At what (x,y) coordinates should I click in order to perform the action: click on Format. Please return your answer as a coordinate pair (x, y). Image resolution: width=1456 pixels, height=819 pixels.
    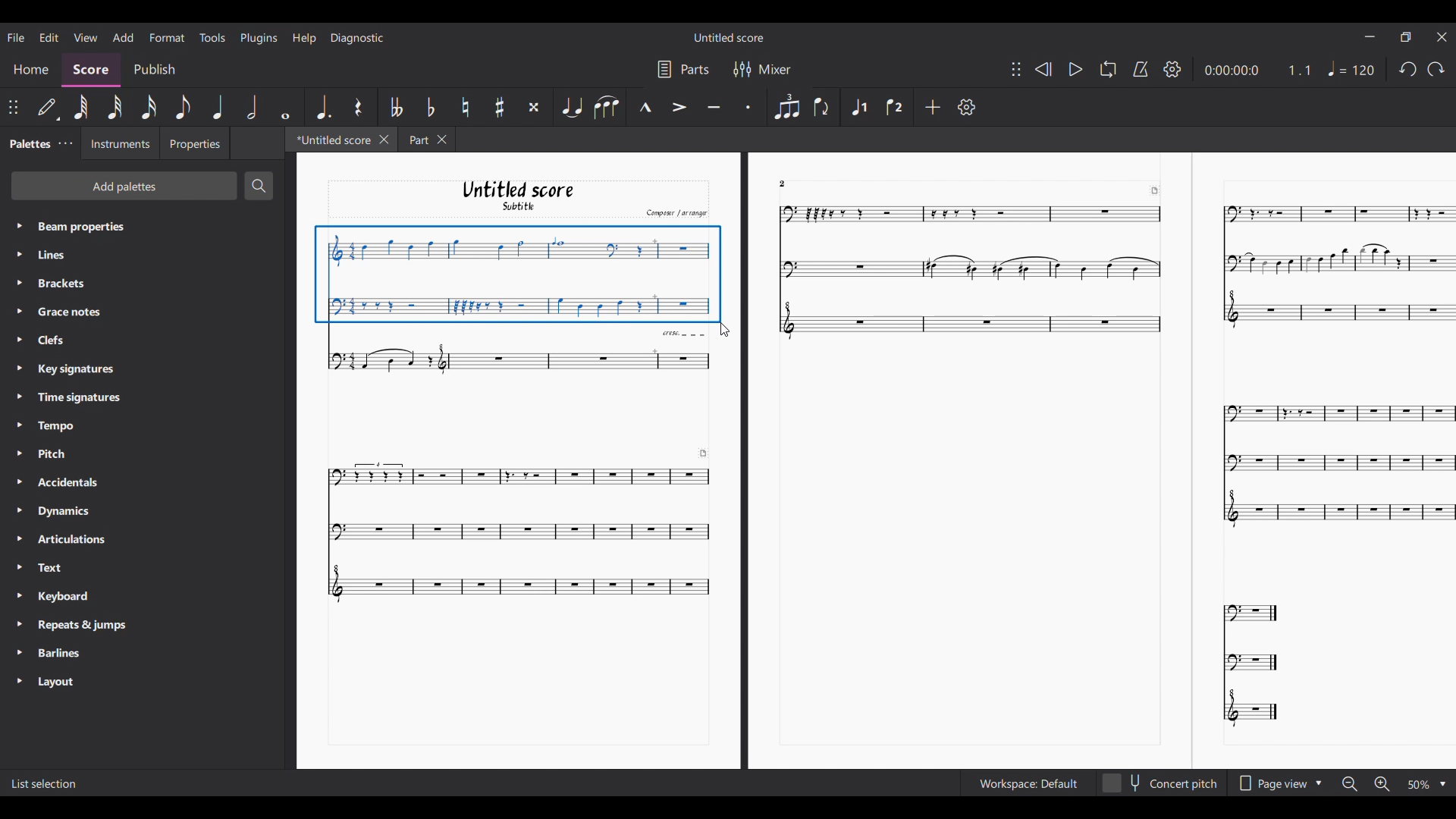
    Looking at the image, I should click on (168, 37).